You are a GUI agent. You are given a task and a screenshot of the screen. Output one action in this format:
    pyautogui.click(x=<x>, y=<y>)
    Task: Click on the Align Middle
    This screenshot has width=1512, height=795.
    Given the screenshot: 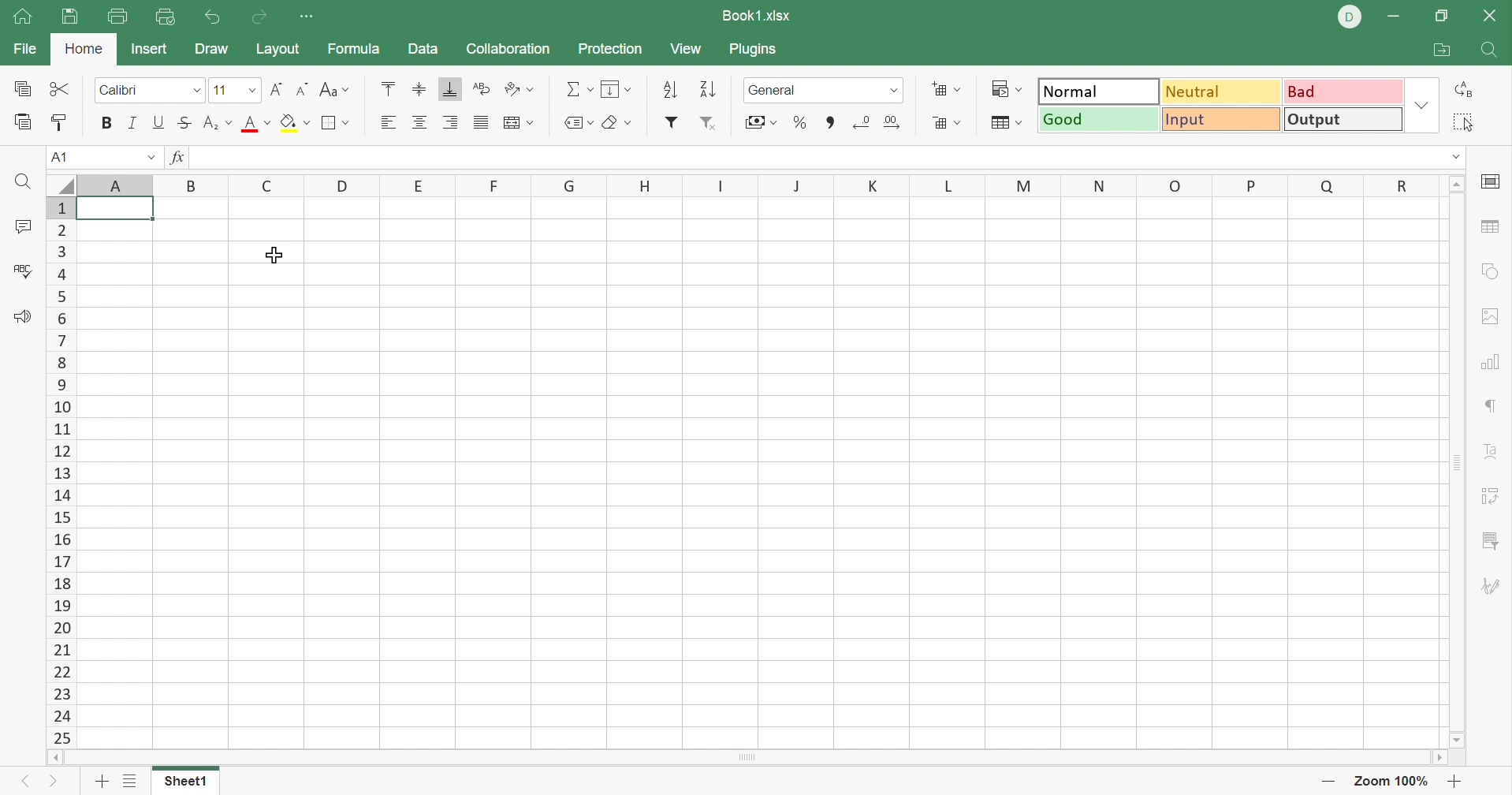 What is the action you would take?
    pyautogui.click(x=420, y=88)
    